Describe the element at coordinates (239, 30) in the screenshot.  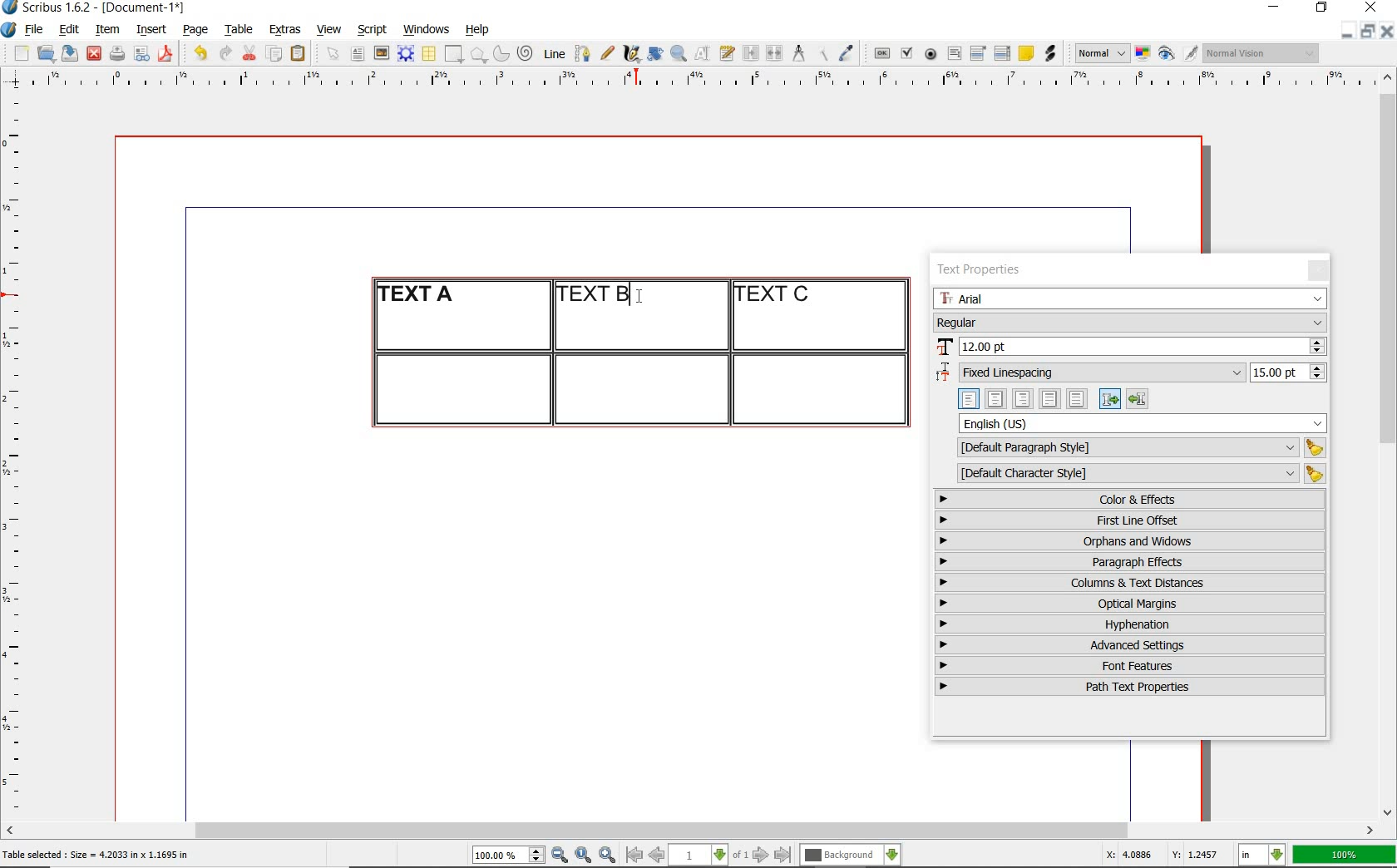
I see `table` at that location.